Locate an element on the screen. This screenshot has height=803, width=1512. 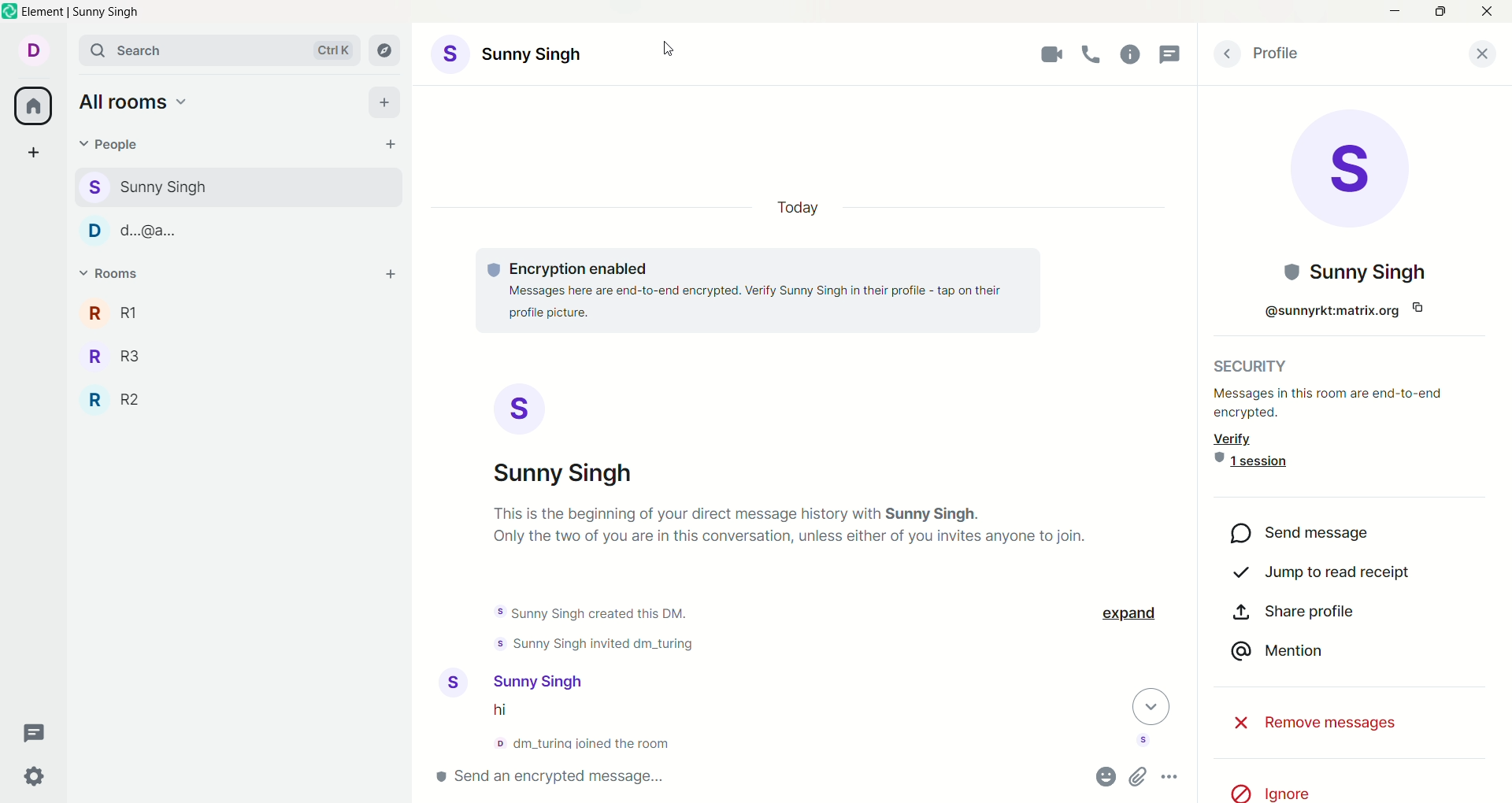
text box is located at coordinates (613, 778).